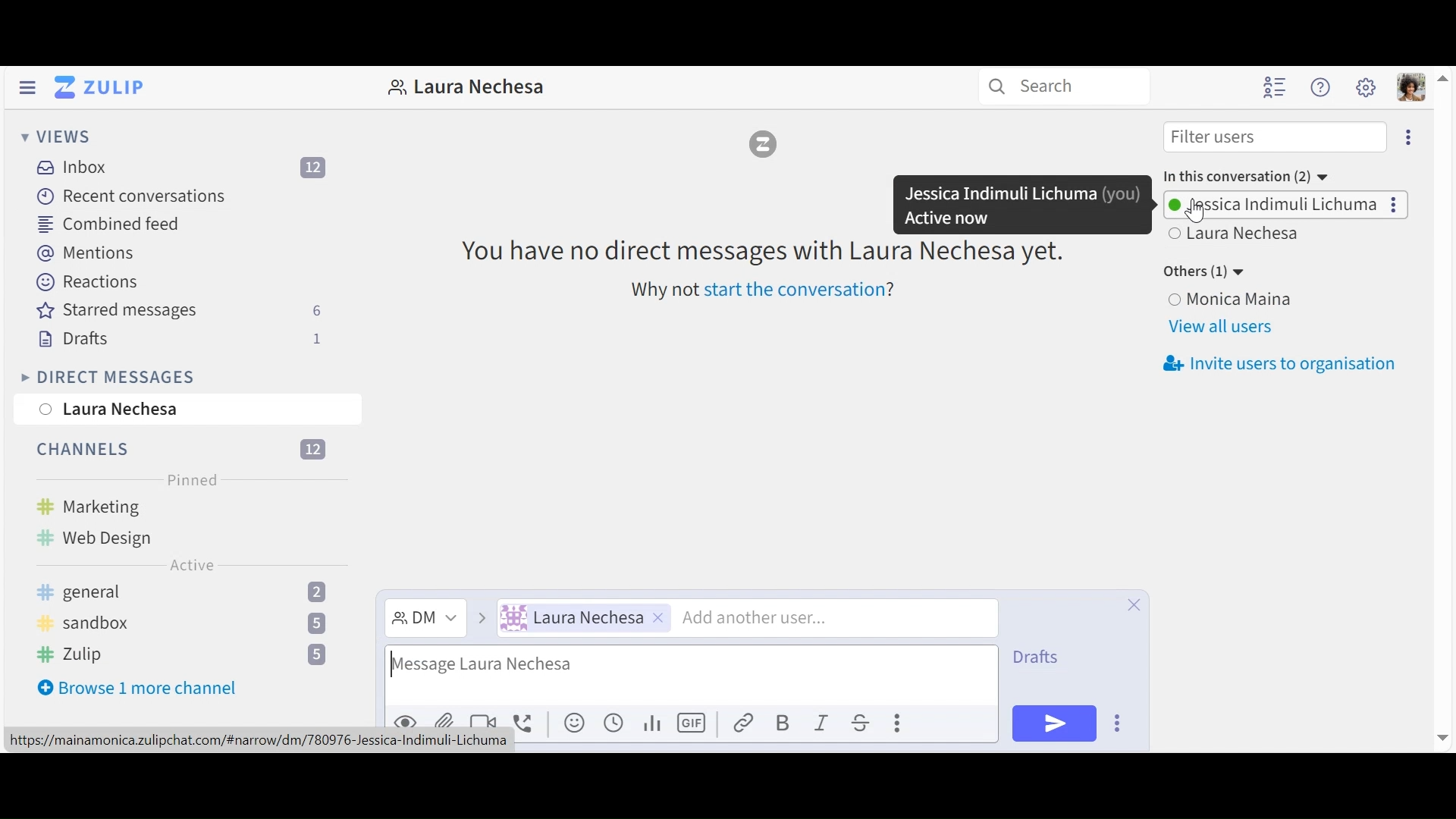 This screenshot has width=1456, height=819. What do you see at coordinates (101, 88) in the screenshot?
I see `Go to Home View (inbox)` at bounding box center [101, 88].